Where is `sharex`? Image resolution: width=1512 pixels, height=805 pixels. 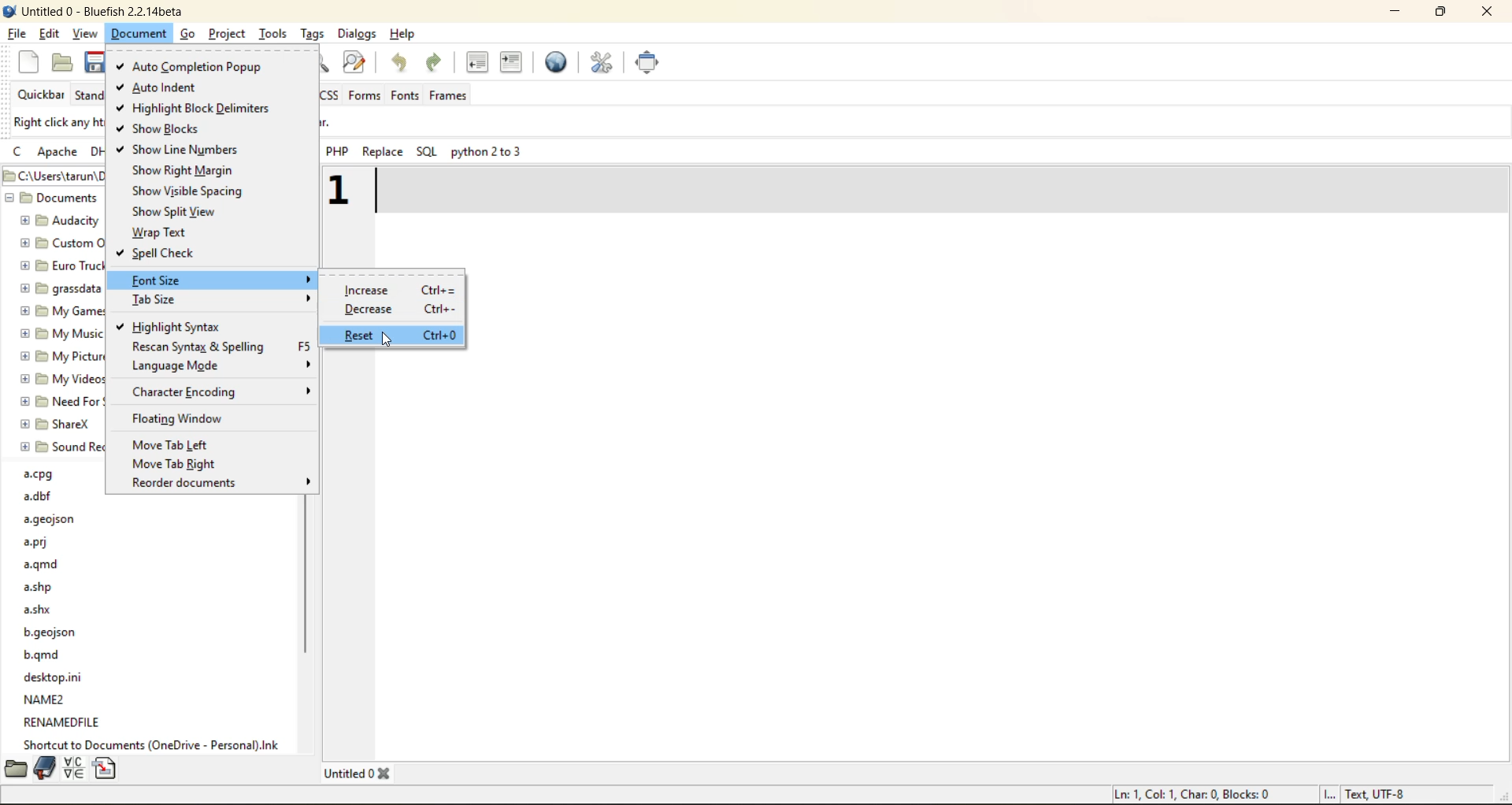
sharex is located at coordinates (57, 425).